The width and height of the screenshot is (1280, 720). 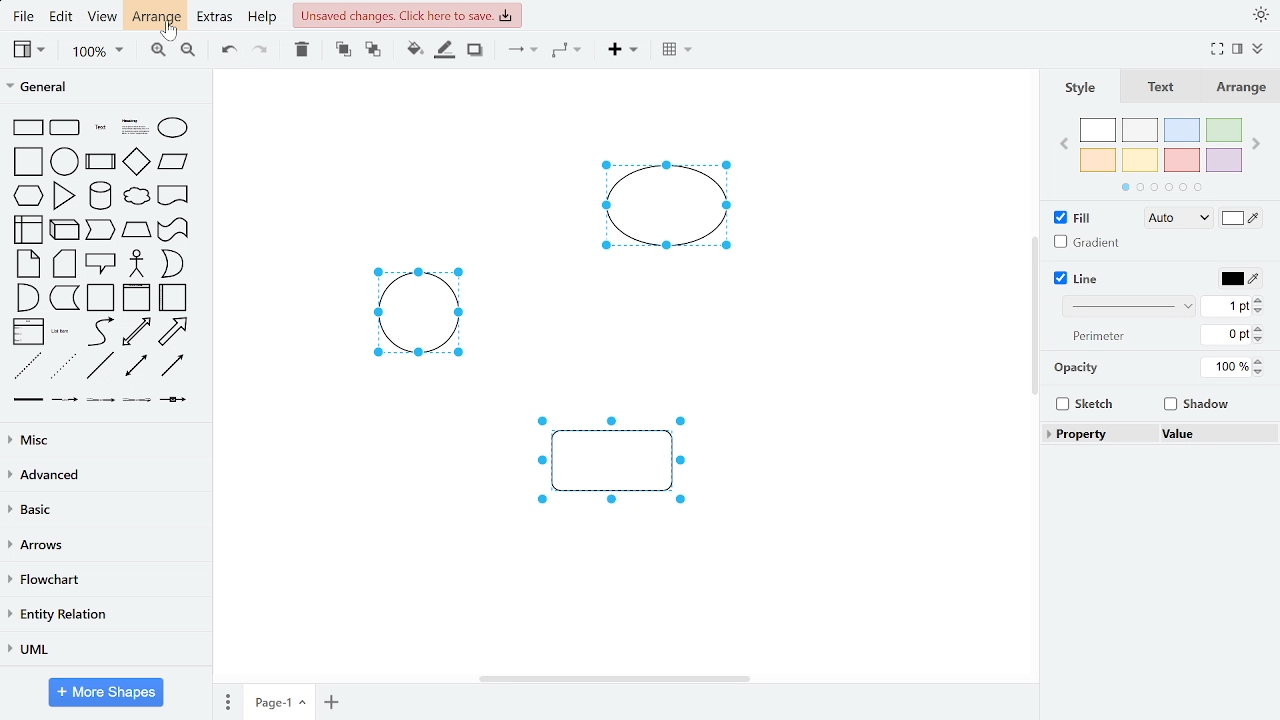 I want to click on connector, so click(x=520, y=53).